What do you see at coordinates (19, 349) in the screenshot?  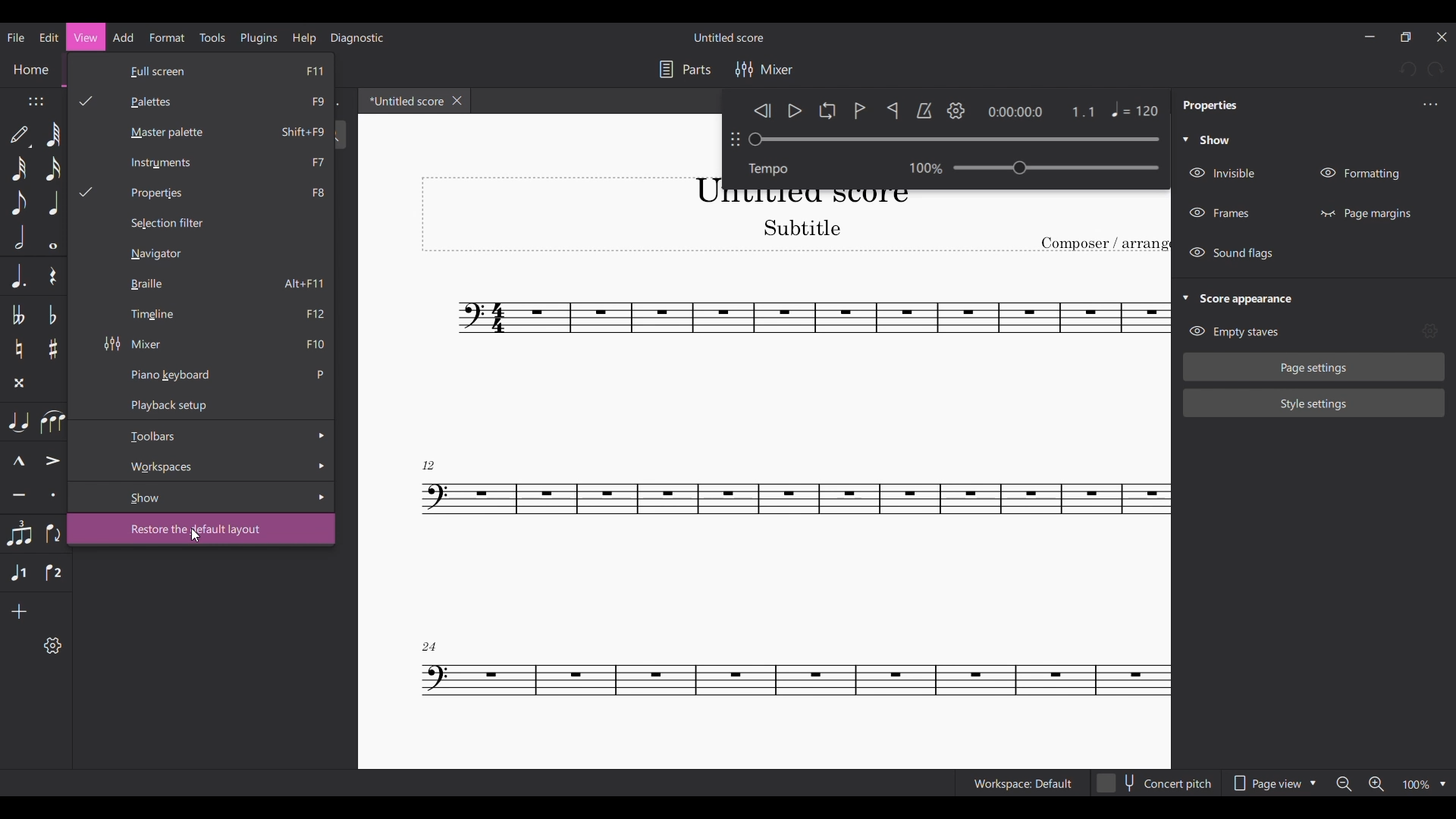 I see `Toggle natural` at bounding box center [19, 349].